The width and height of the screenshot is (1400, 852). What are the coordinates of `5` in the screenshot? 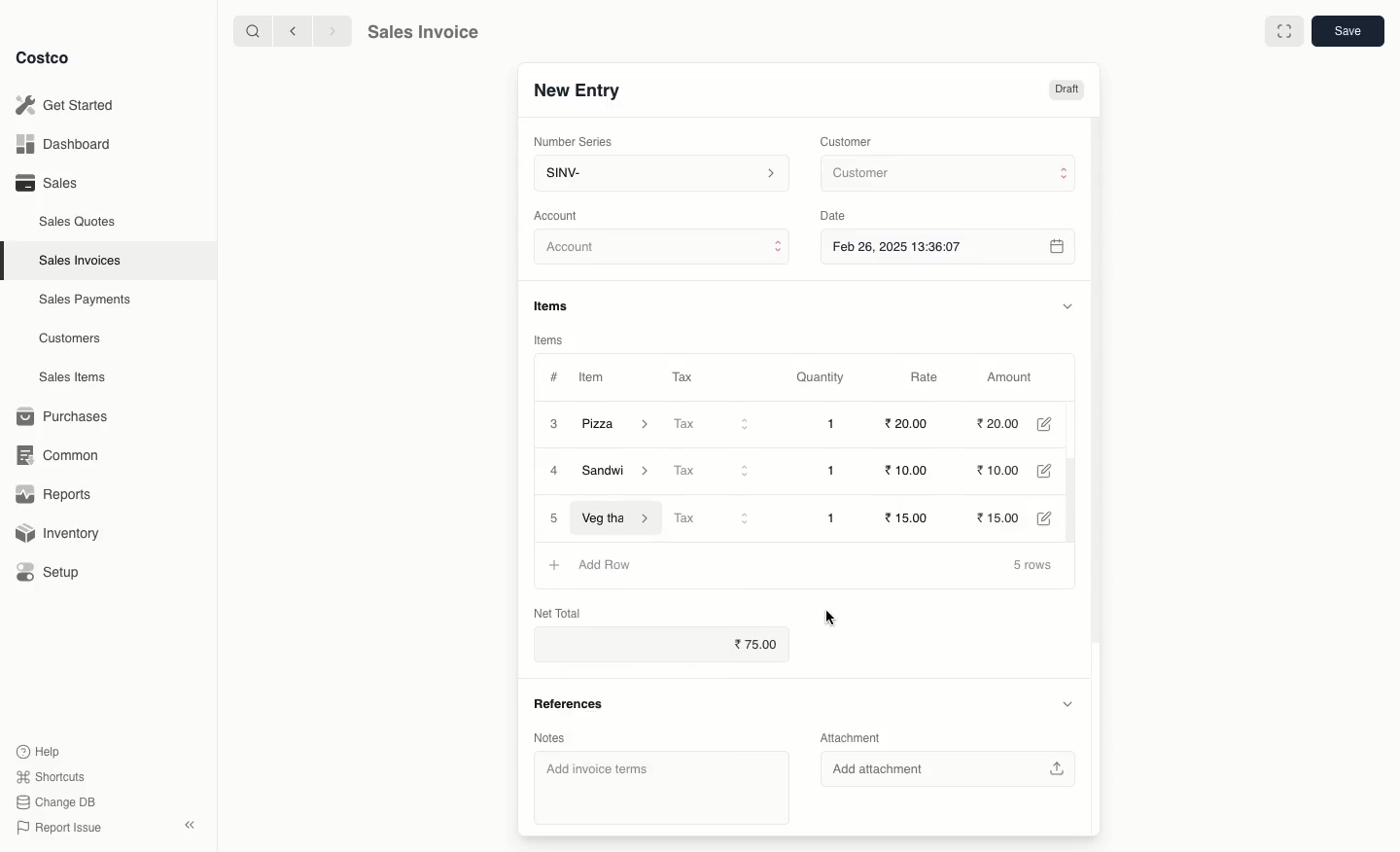 It's located at (554, 518).